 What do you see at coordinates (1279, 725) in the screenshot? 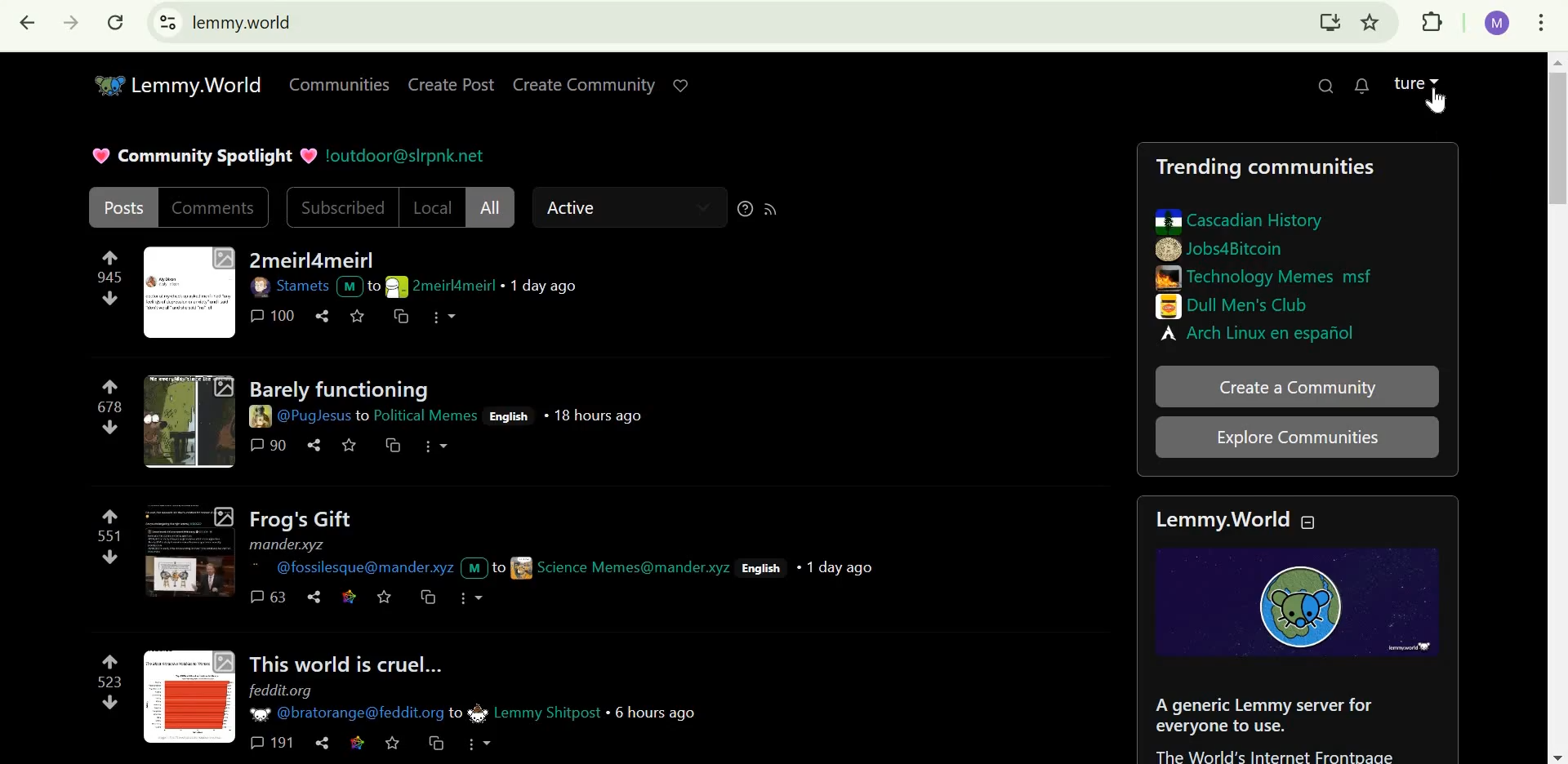
I see `about section` at bounding box center [1279, 725].